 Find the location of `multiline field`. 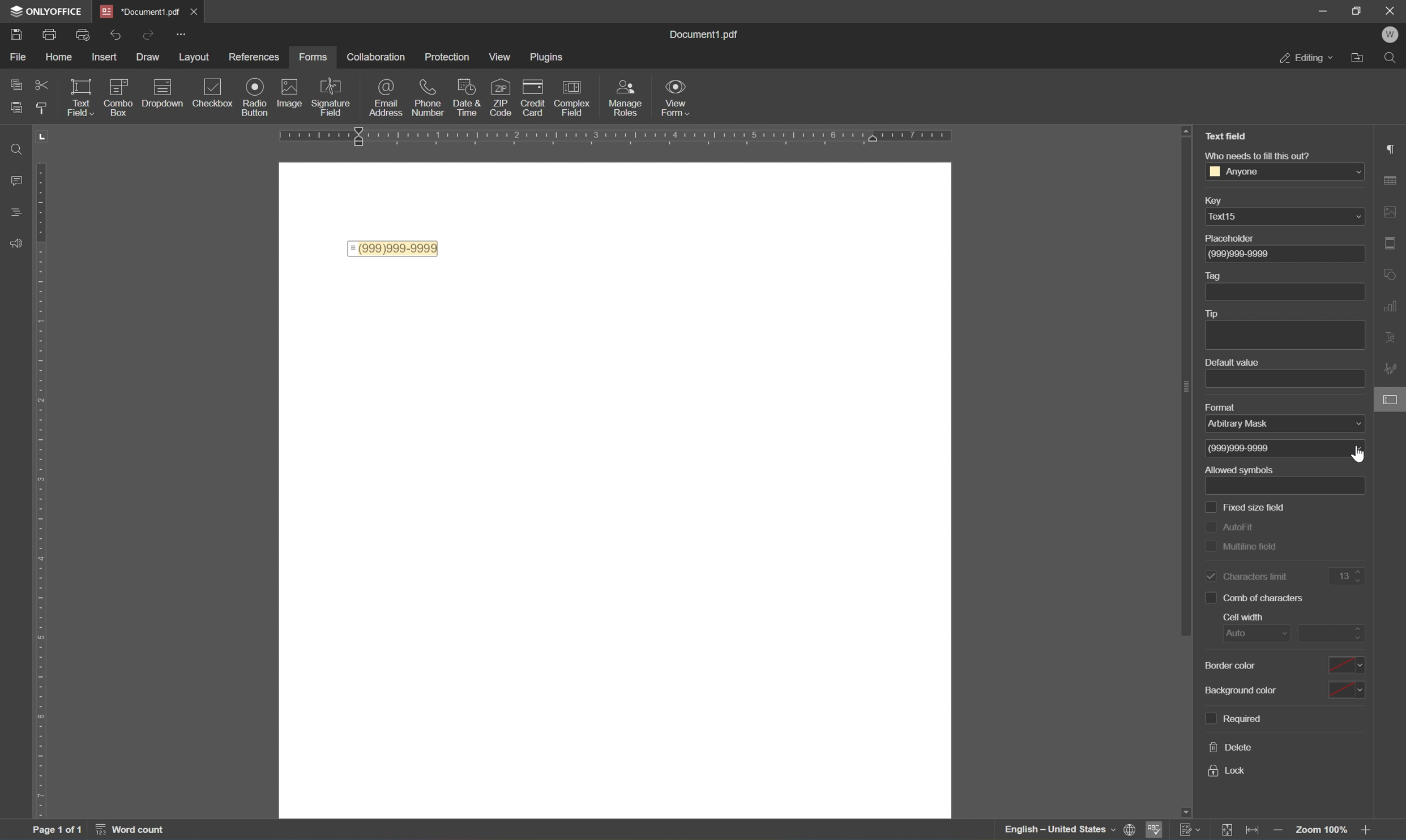

multiline field is located at coordinates (1243, 547).